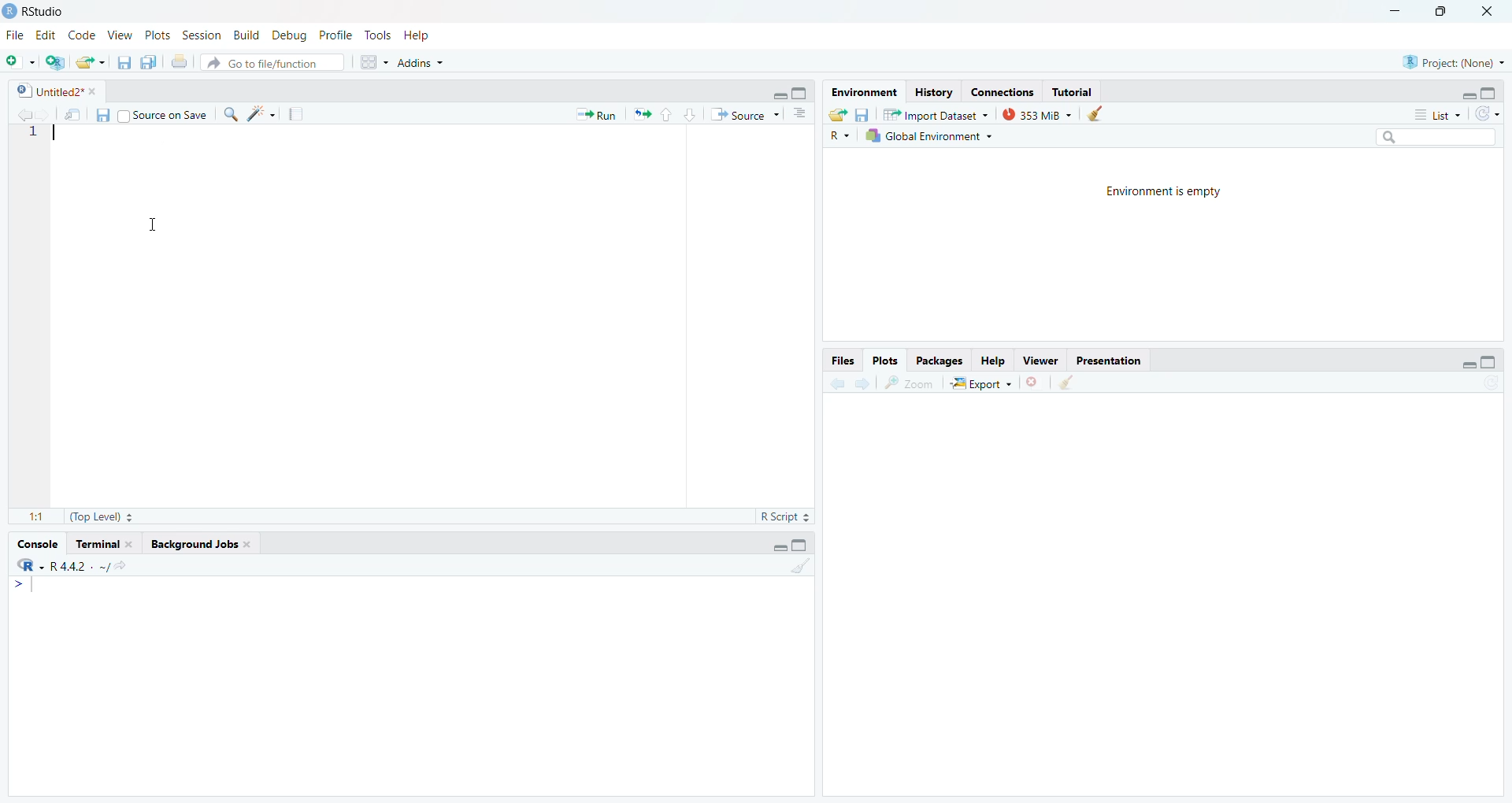  I want to click on  Export , so click(980, 385).